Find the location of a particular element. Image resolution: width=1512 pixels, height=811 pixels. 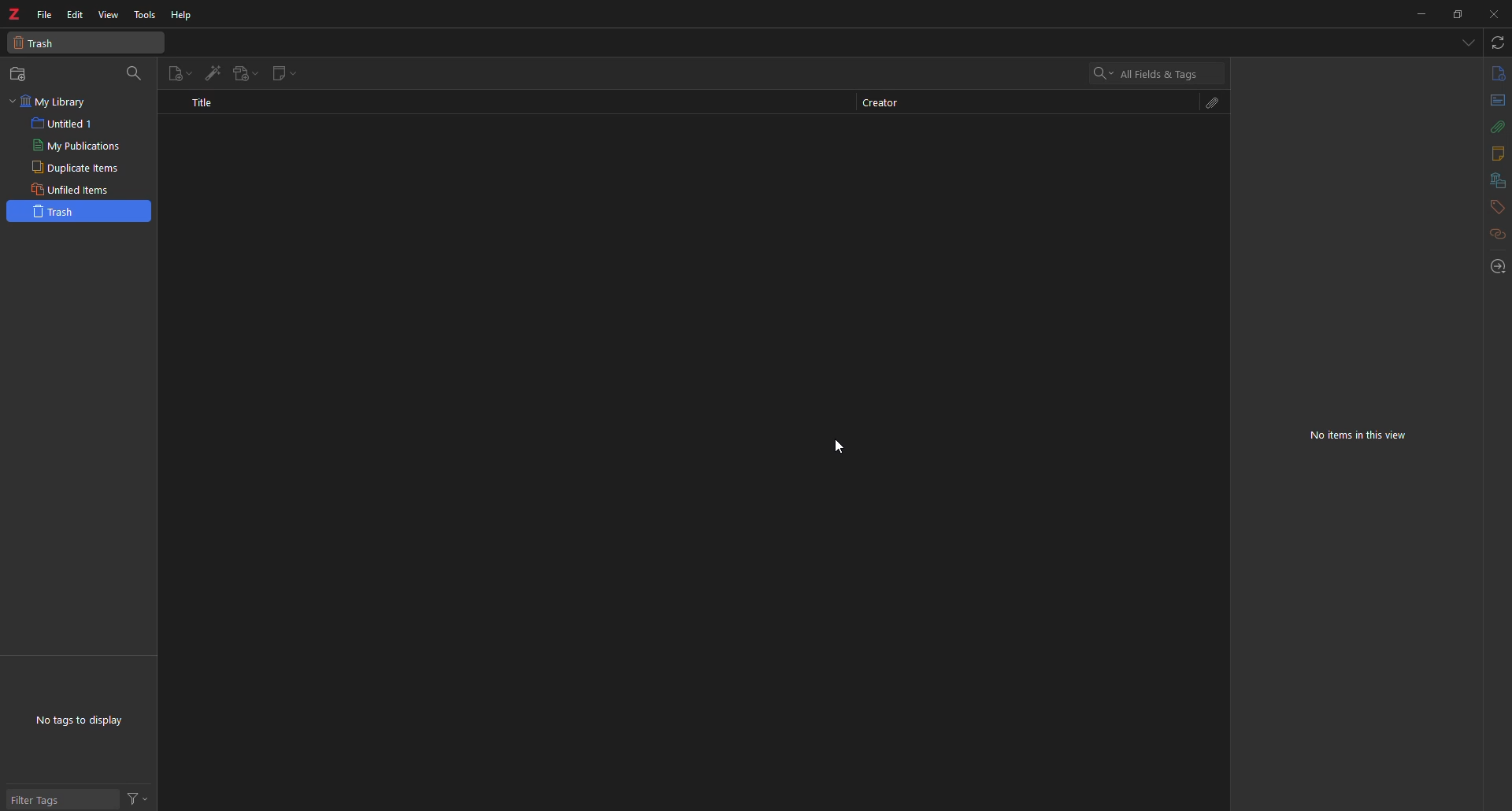

view is located at coordinates (109, 16).